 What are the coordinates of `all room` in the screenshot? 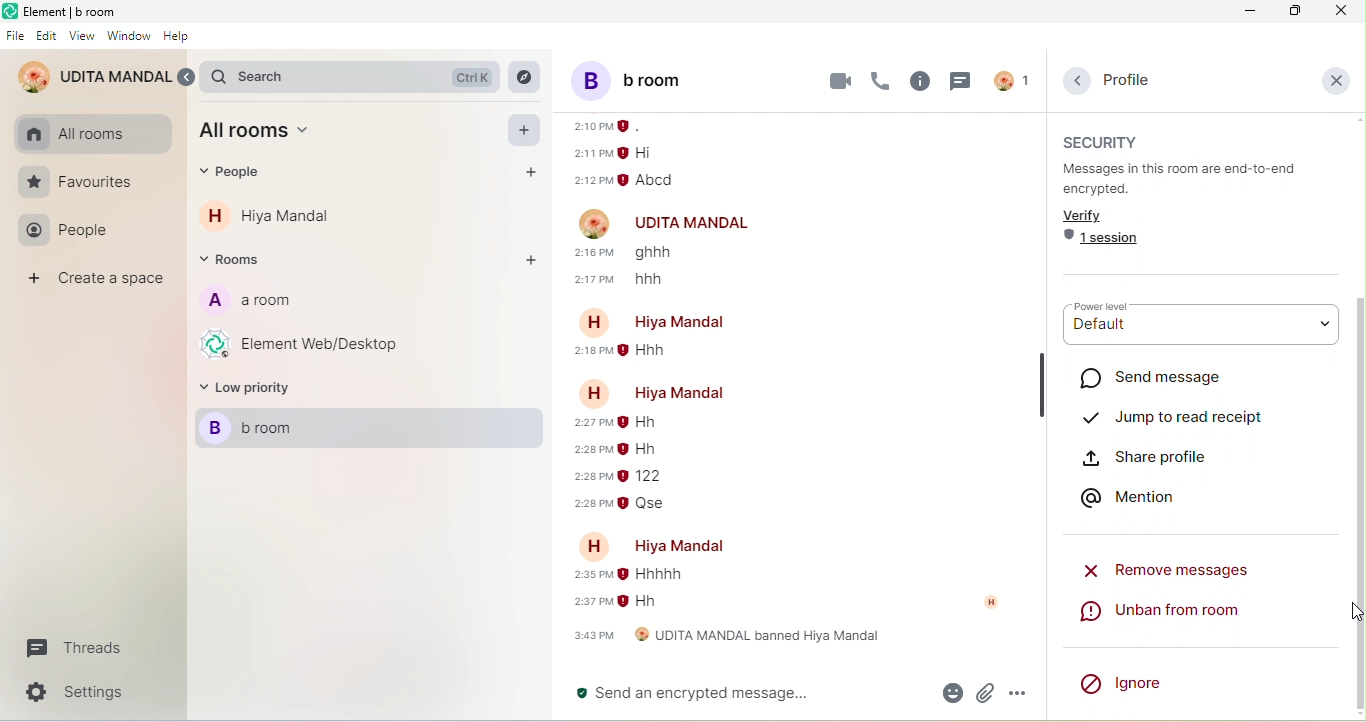 It's located at (263, 134).